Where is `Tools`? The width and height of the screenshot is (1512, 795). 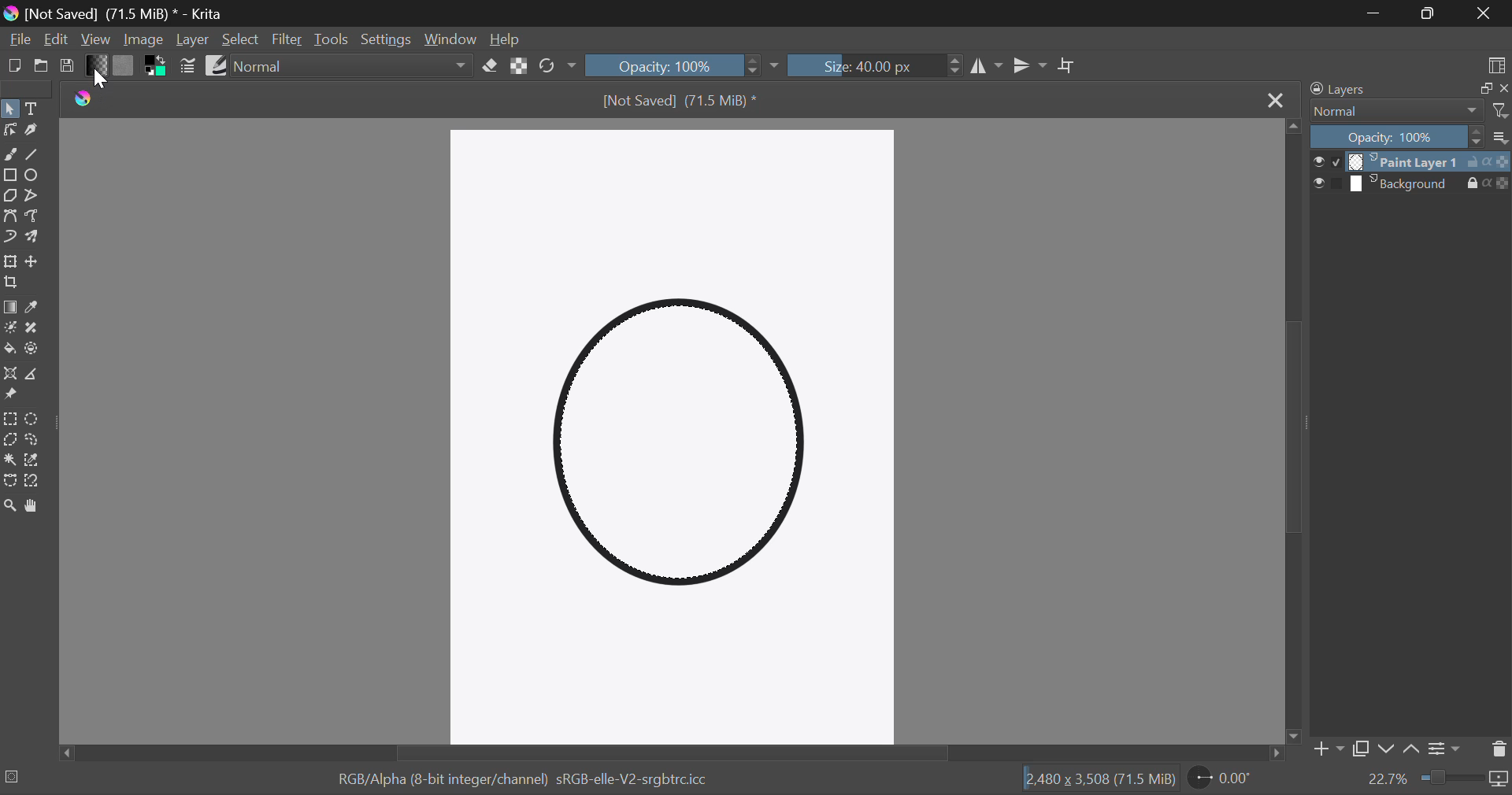
Tools is located at coordinates (332, 39).